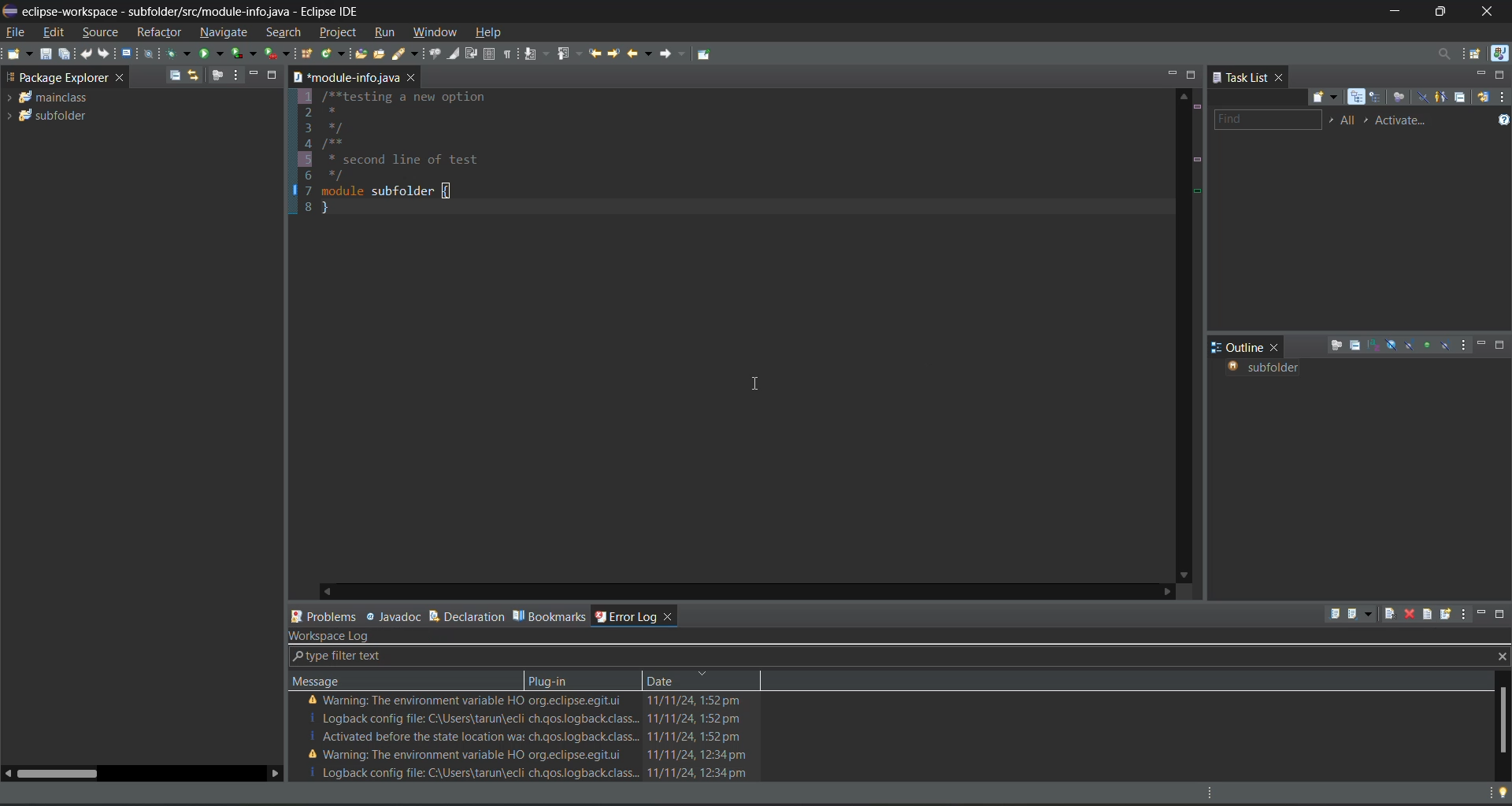 Image resolution: width=1512 pixels, height=806 pixels. What do you see at coordinates (558, 615) in the screenshot?
I see `bookmarks` at bounding box center [558, 615].